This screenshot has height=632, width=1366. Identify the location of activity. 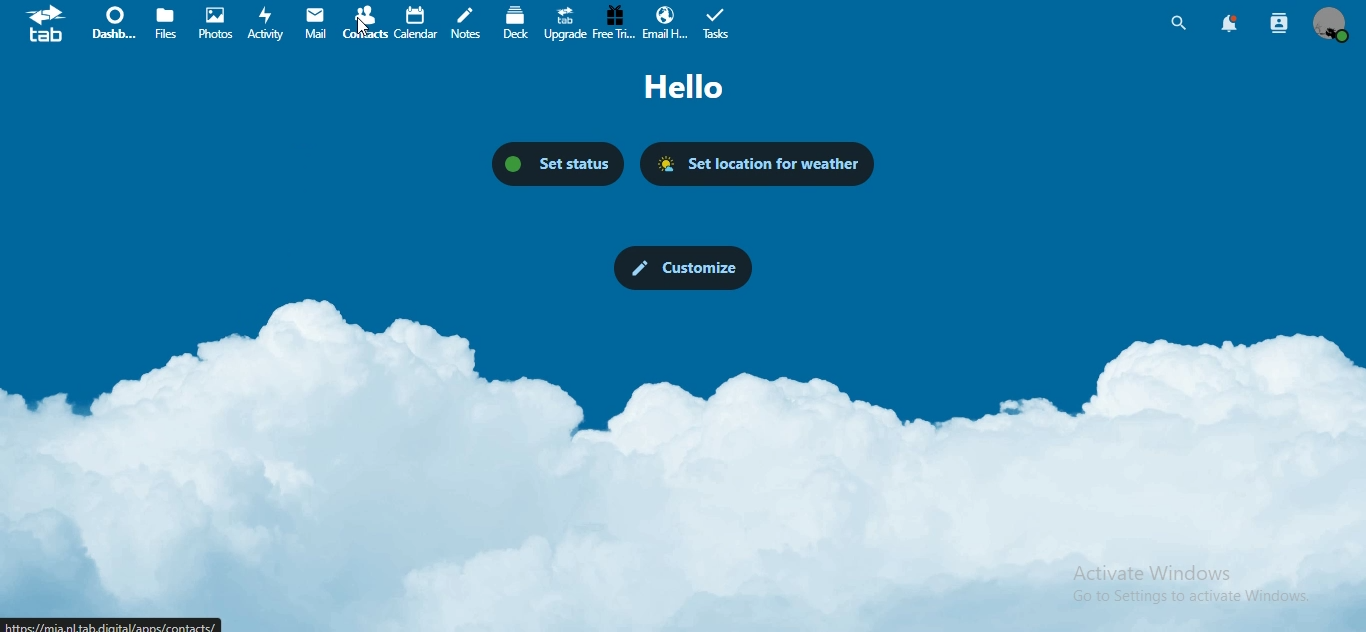
(267, 23).